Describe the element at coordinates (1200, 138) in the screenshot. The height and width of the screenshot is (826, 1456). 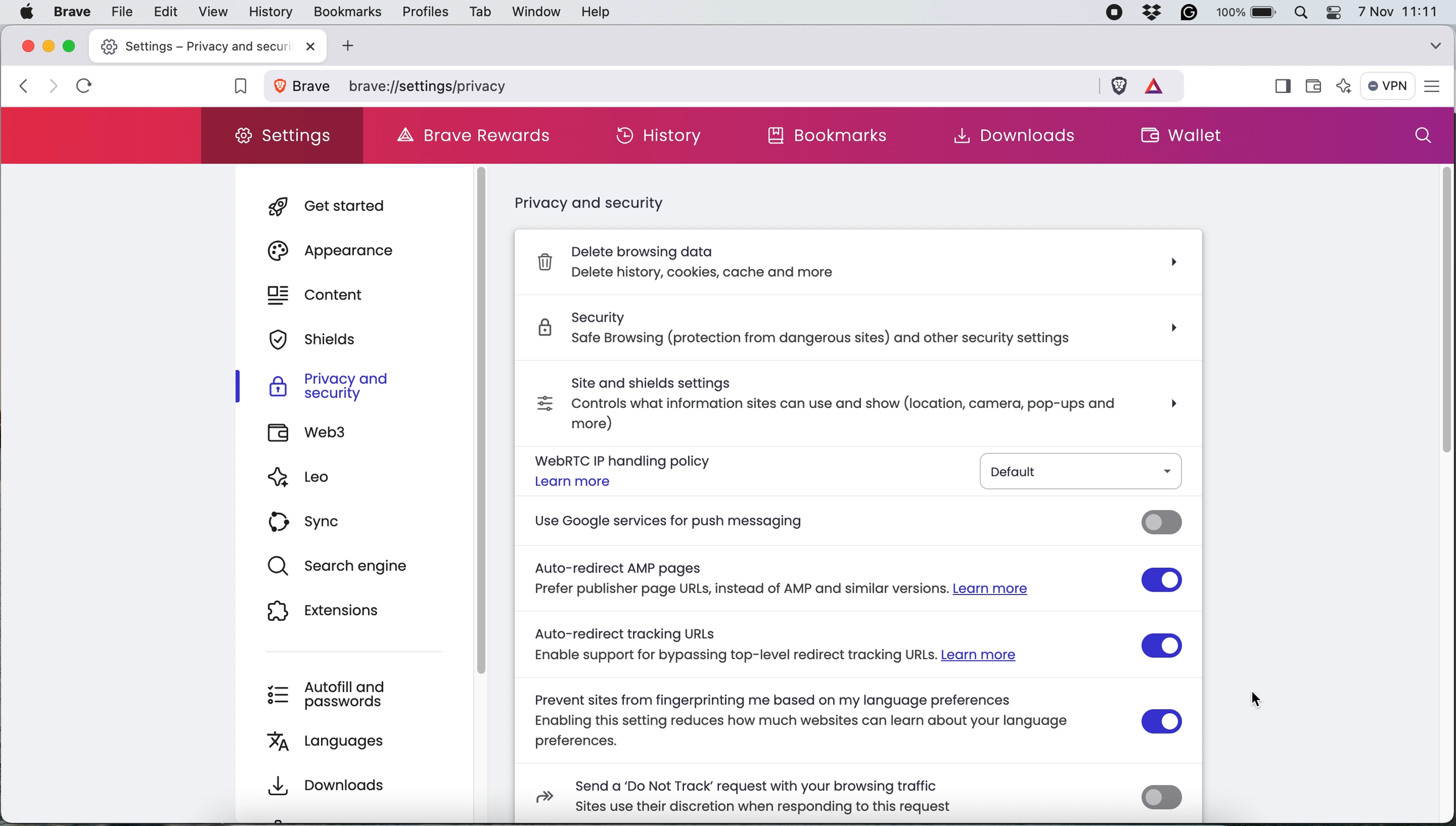
I see `wallet` at that location.